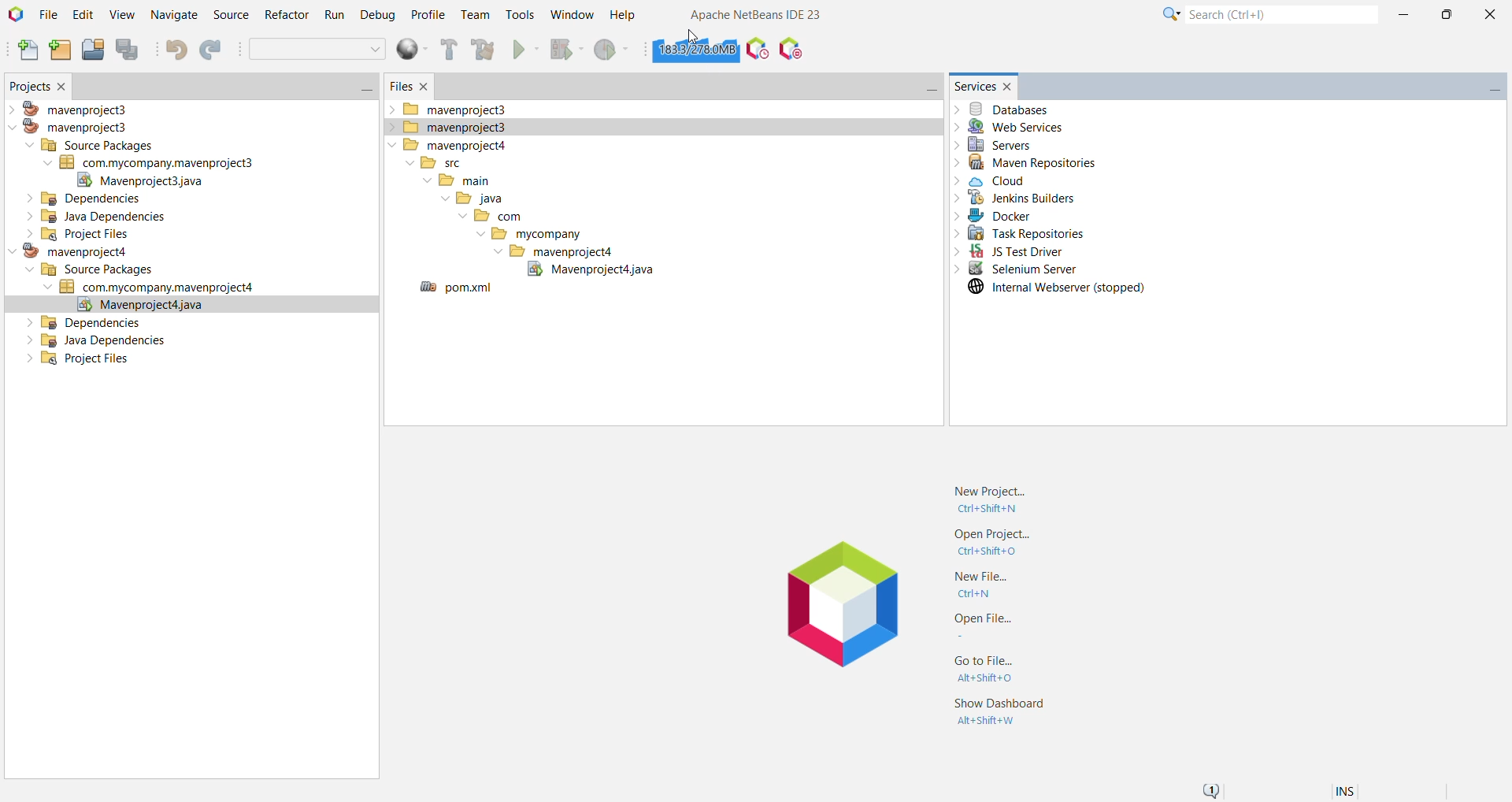 Image resolution: width=1512 pixels, height=802 pixels. Describe the element at coordinates (1012, 84) in the screenshot. I see `Close Window` at that location.